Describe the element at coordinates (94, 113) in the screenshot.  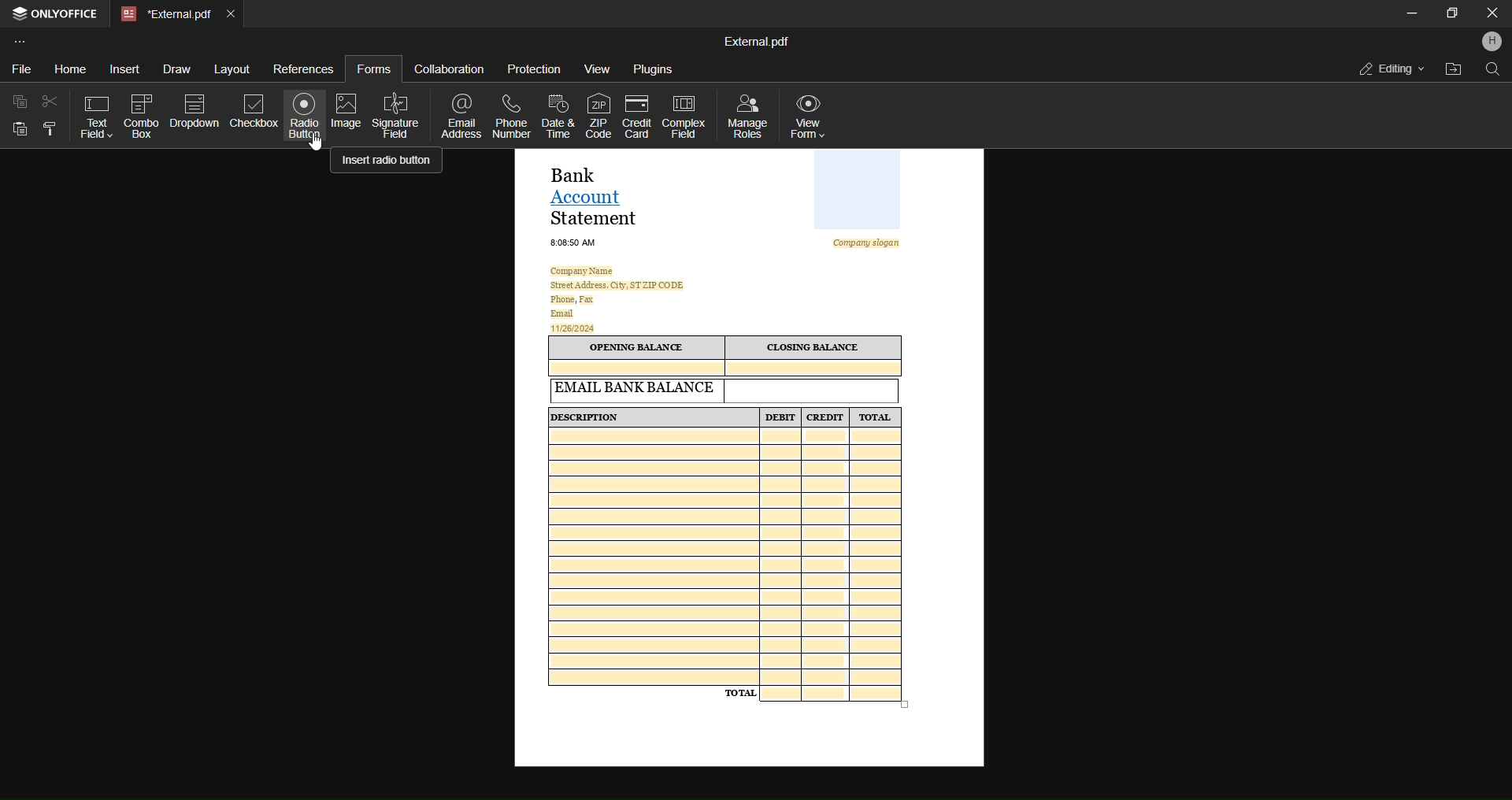
I see `text field` at that location.